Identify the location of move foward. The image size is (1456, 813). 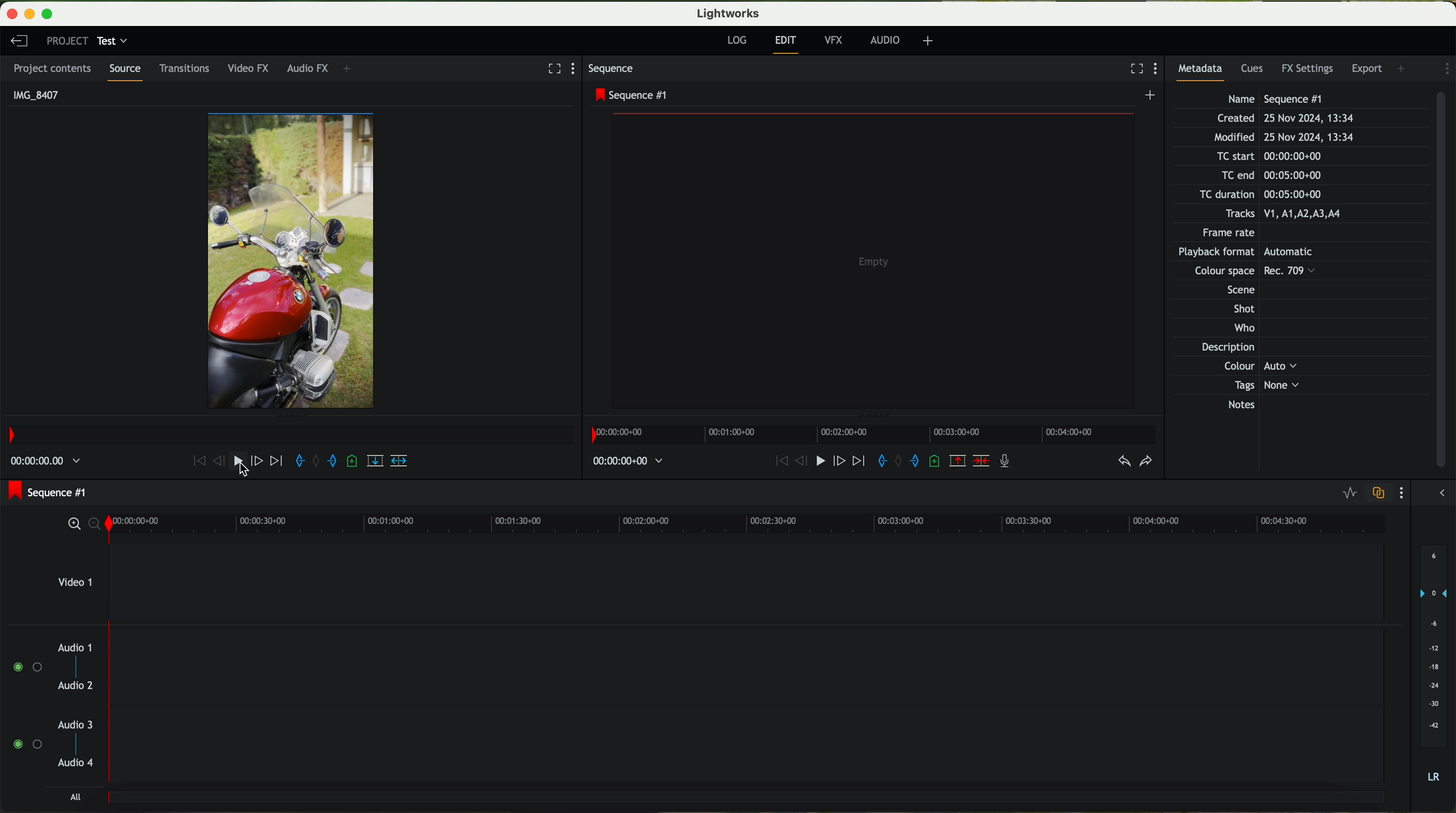
(856, 462).